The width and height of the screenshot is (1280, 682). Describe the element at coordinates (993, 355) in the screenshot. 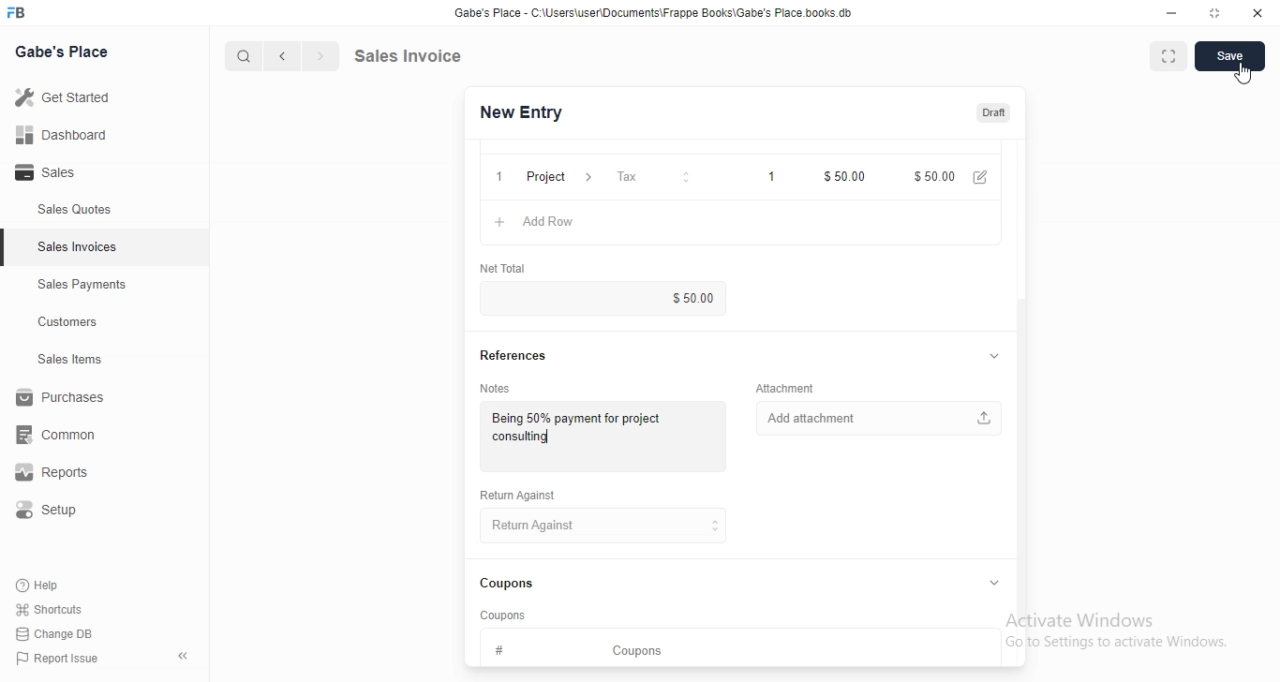

I see `collapse` at that location.